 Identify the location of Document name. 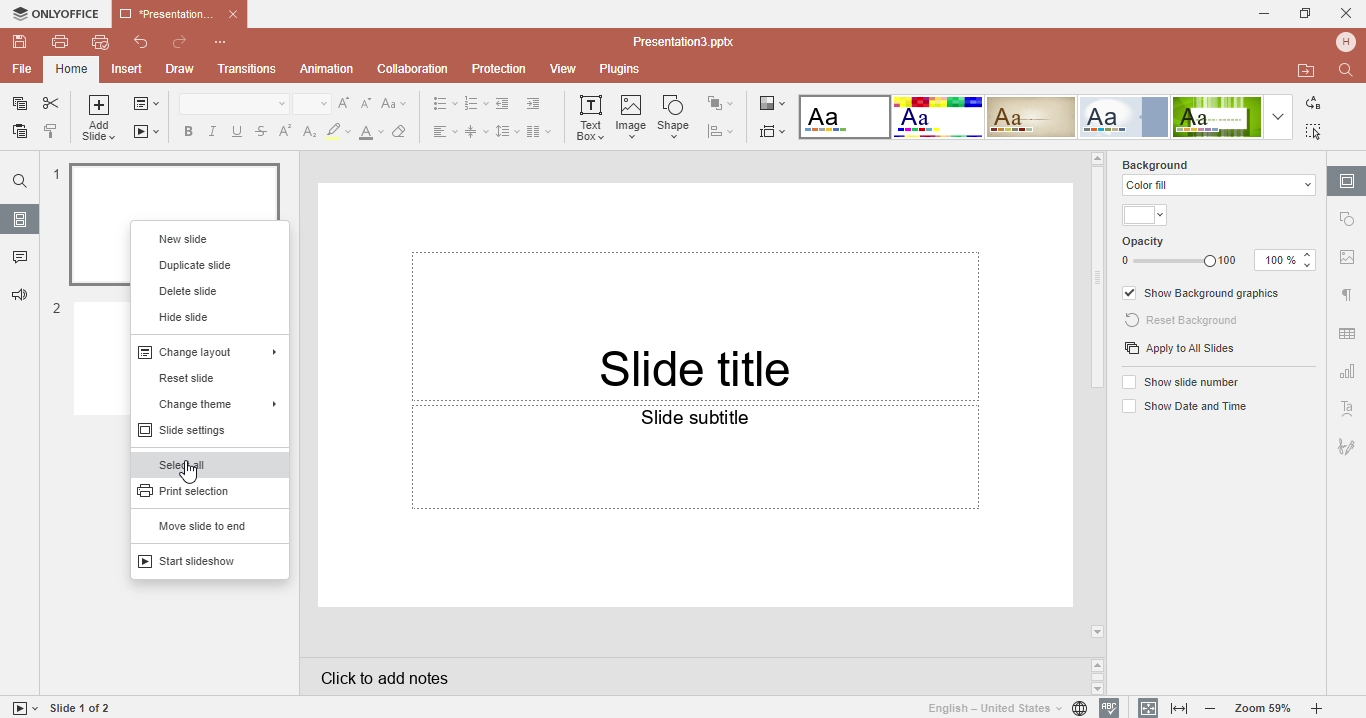
(689, 42).